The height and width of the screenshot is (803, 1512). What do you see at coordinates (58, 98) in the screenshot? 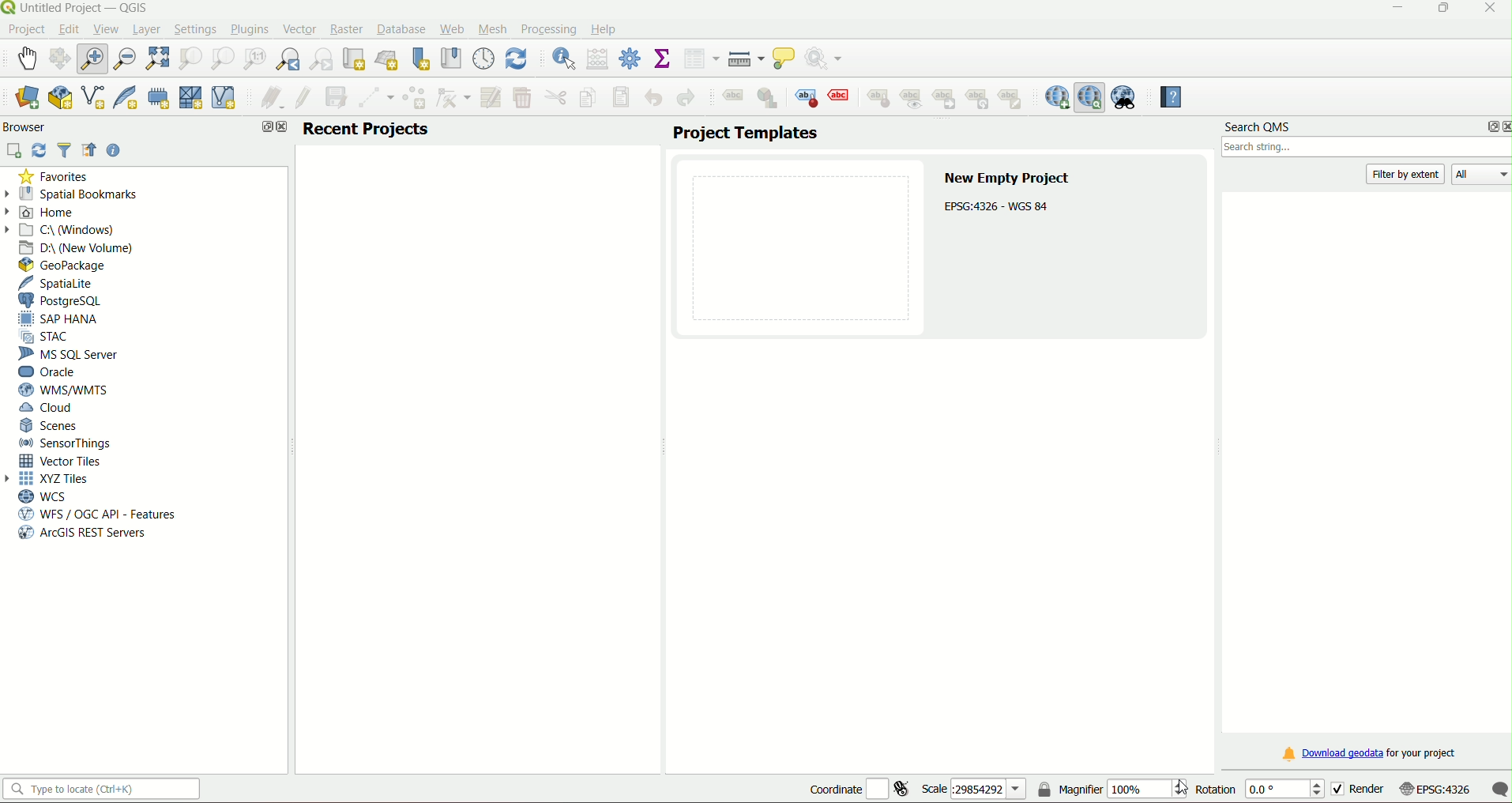
I see `new geopack layer` at bounding box center [58, 98].